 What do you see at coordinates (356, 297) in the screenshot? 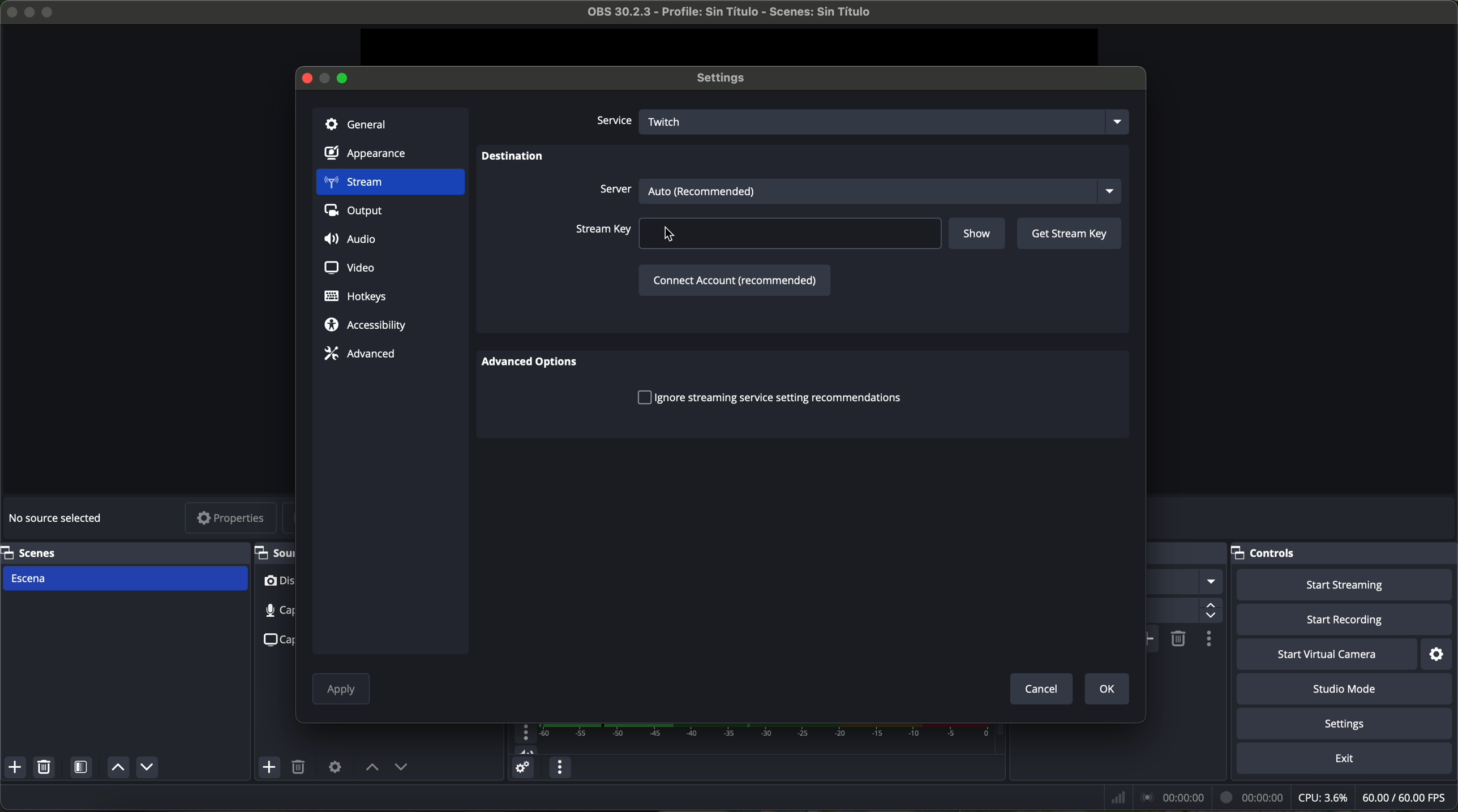
I see `hotkeys` at bounding box center [356, 297].